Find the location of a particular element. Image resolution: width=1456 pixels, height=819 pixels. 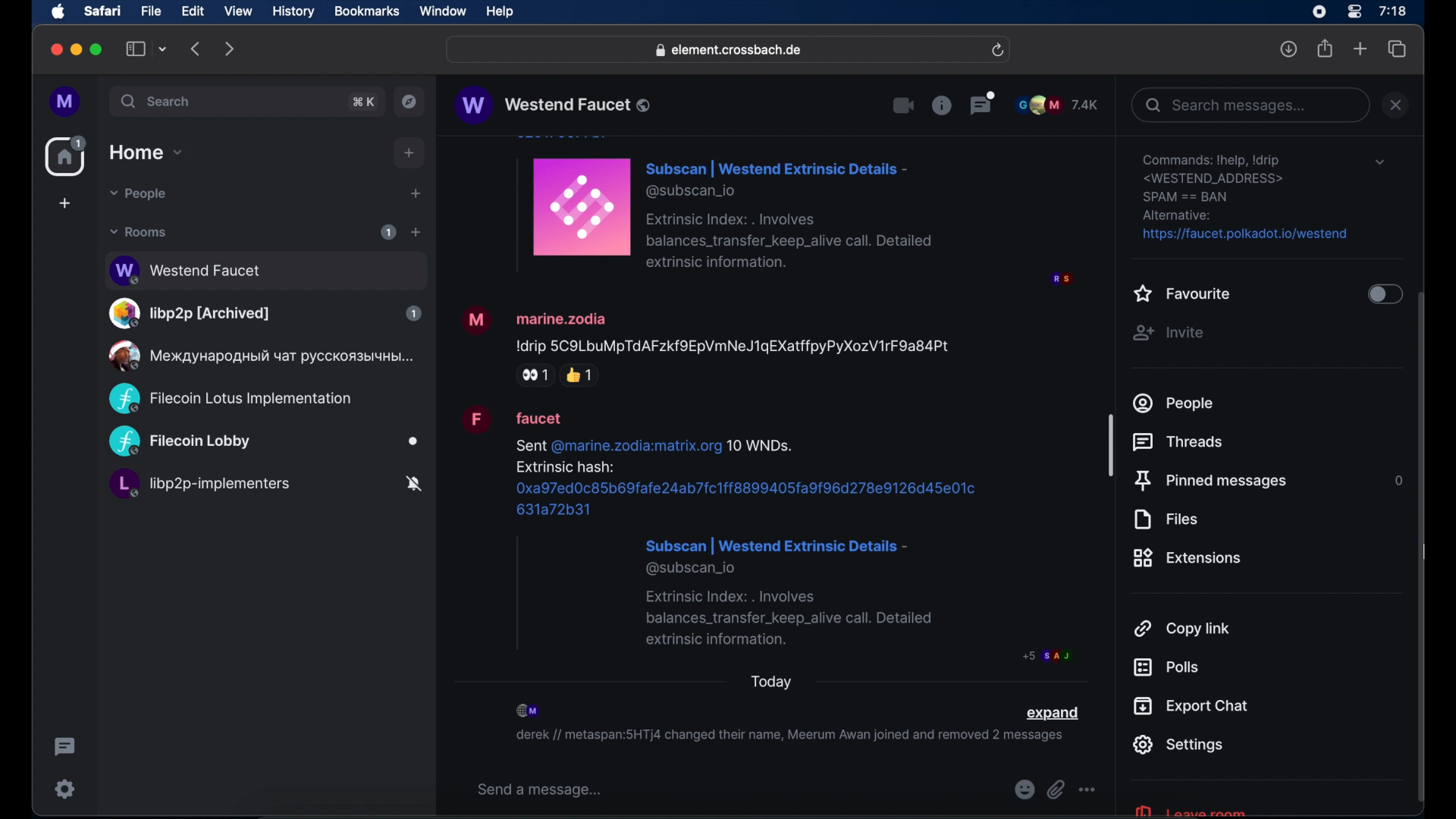

send a message is located at coordinates (540, 790).